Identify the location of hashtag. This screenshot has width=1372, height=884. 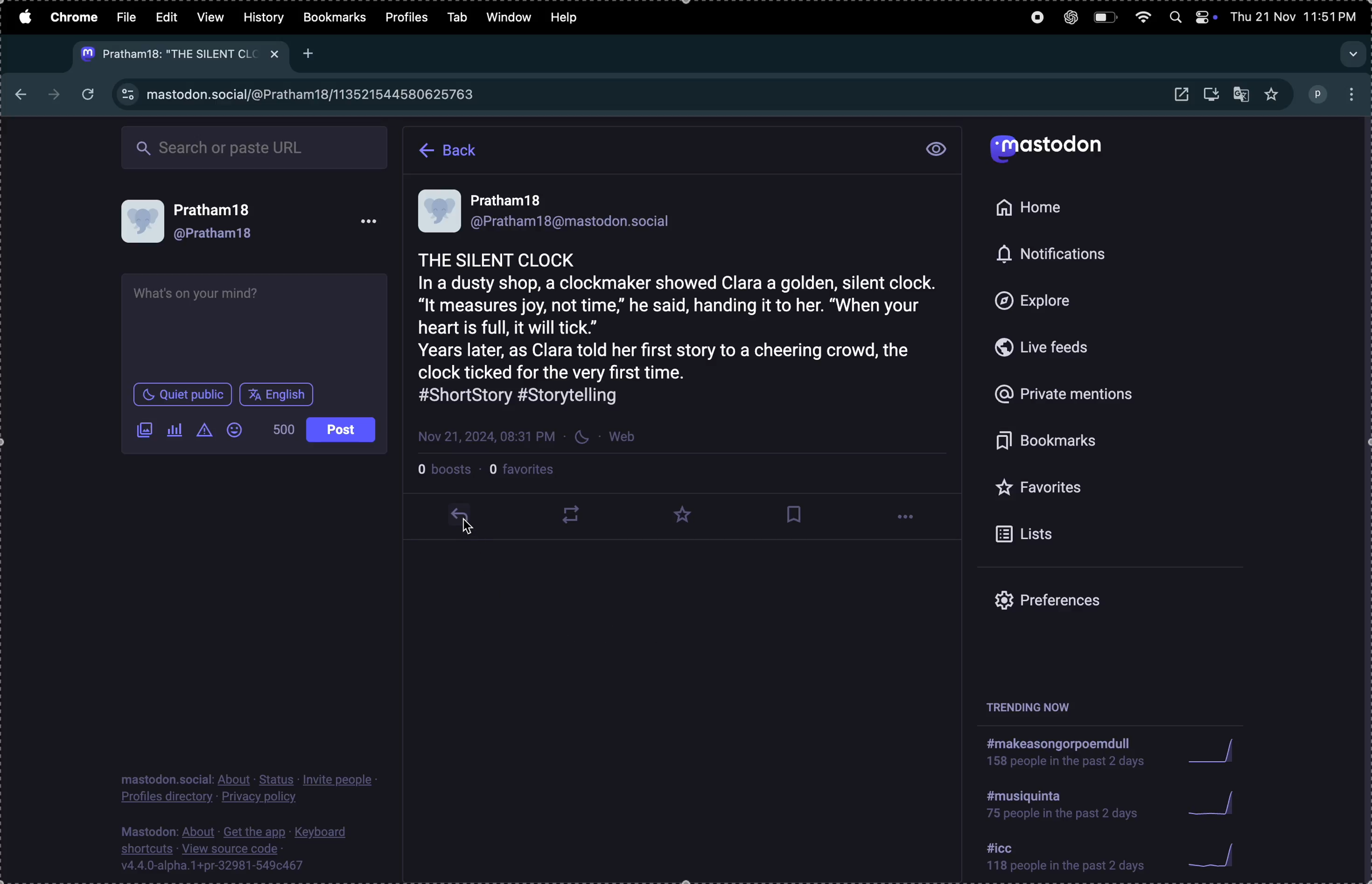
(1067, 803).